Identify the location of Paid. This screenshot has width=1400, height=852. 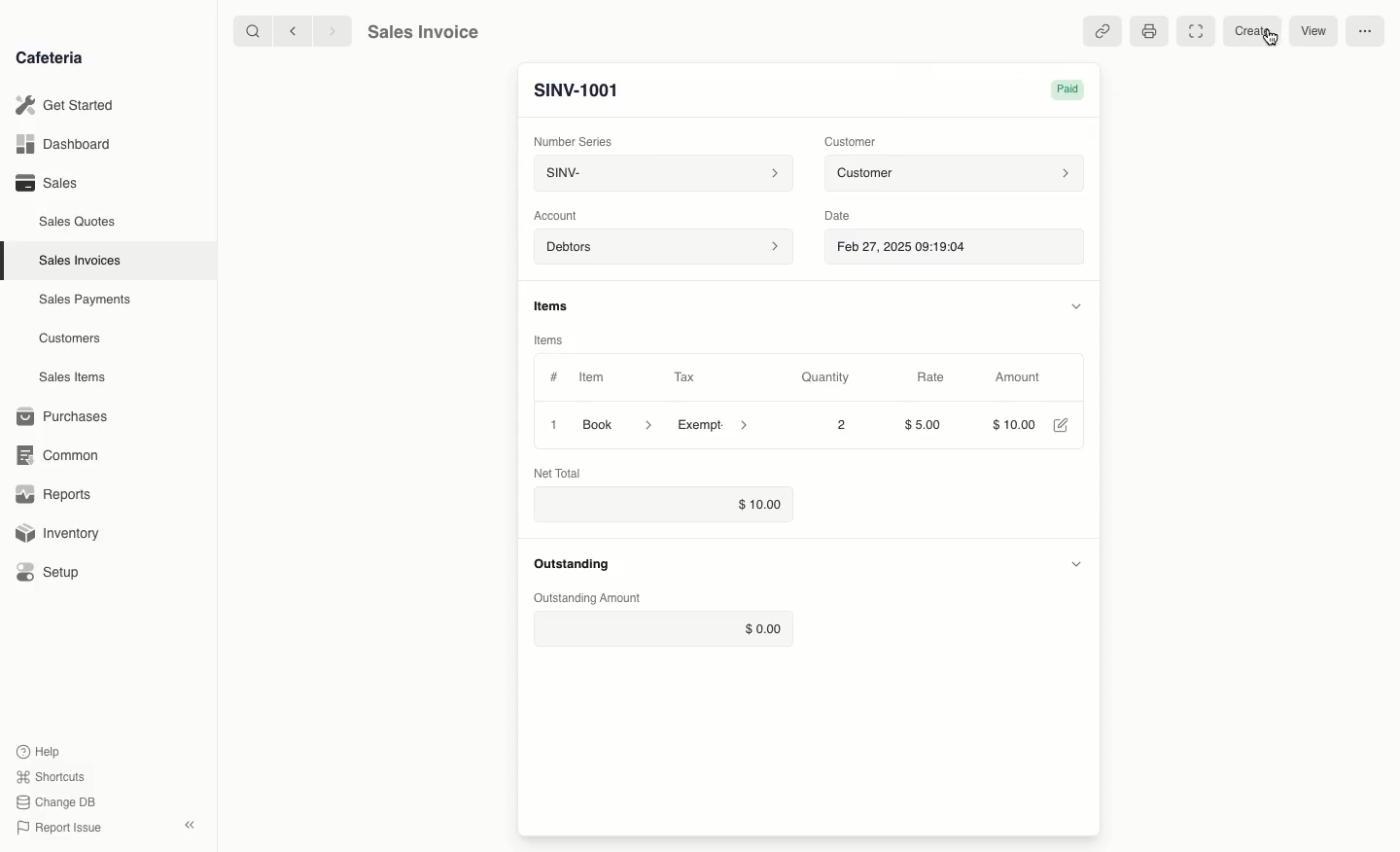
(1071, 89).